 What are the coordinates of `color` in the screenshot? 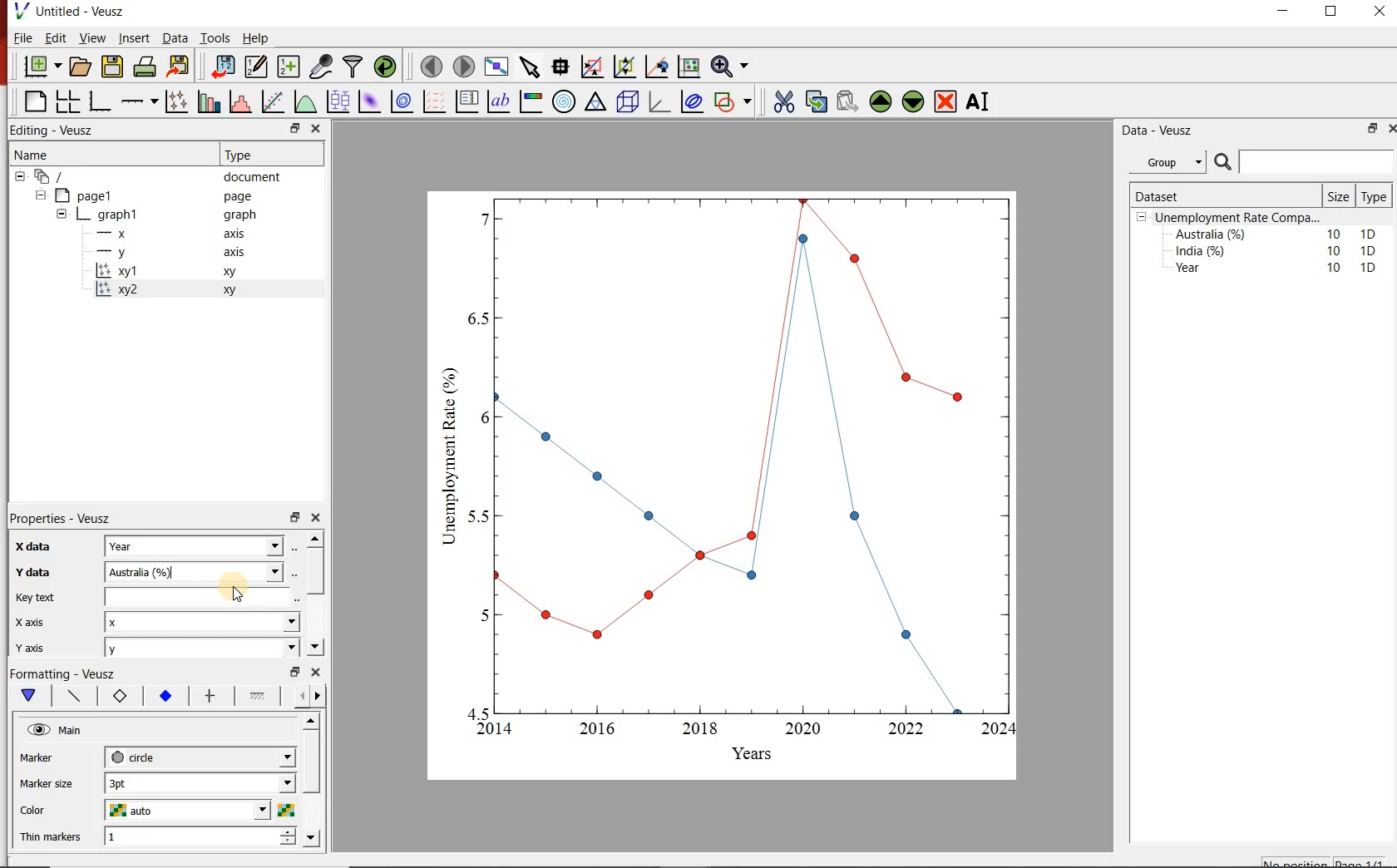 It's located at (46, 811).